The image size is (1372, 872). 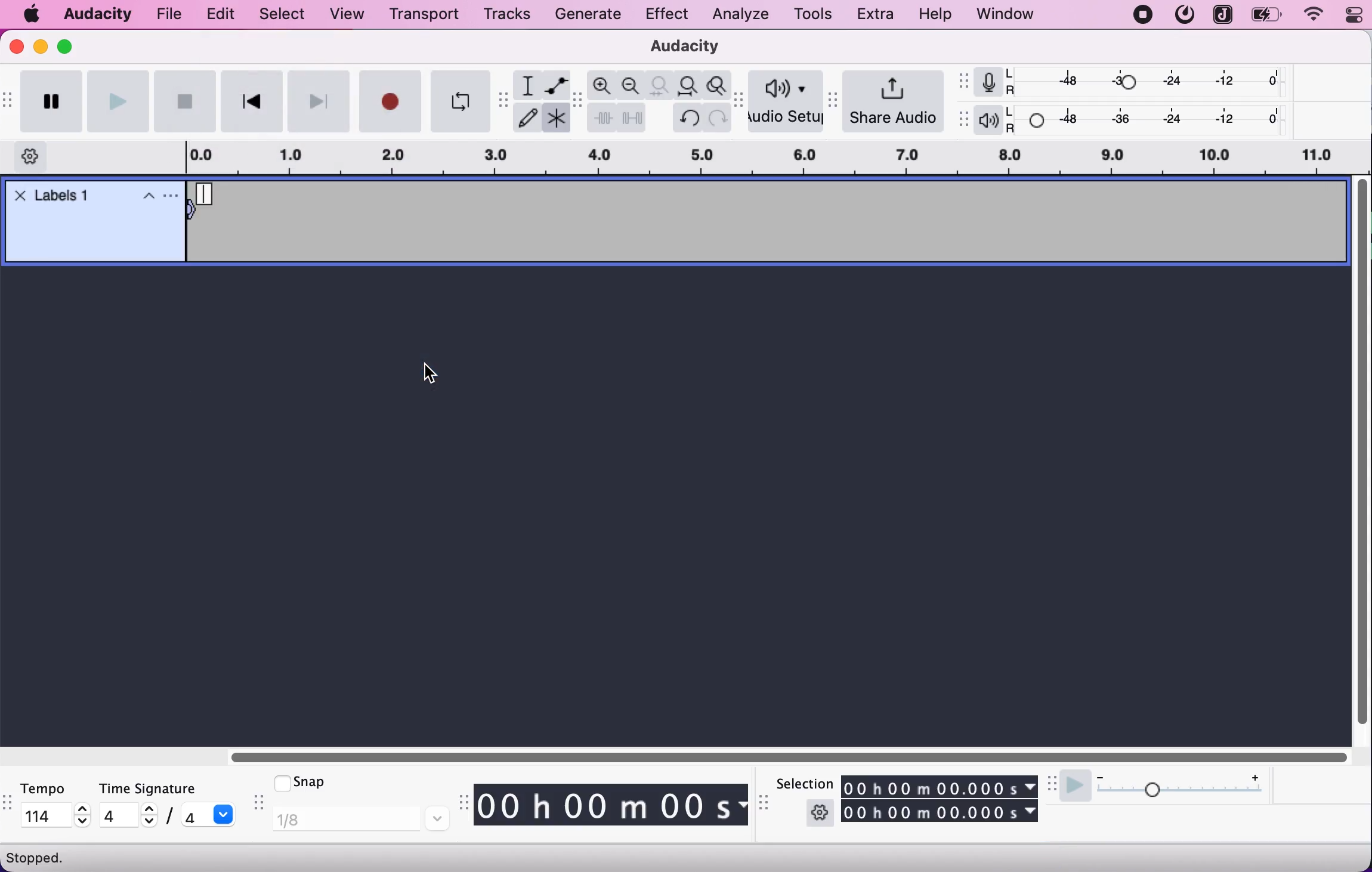 What do you see at coordinates (1076, 787) in the screenshot?
I see `play at speed` at bounding box center [1076, 787].